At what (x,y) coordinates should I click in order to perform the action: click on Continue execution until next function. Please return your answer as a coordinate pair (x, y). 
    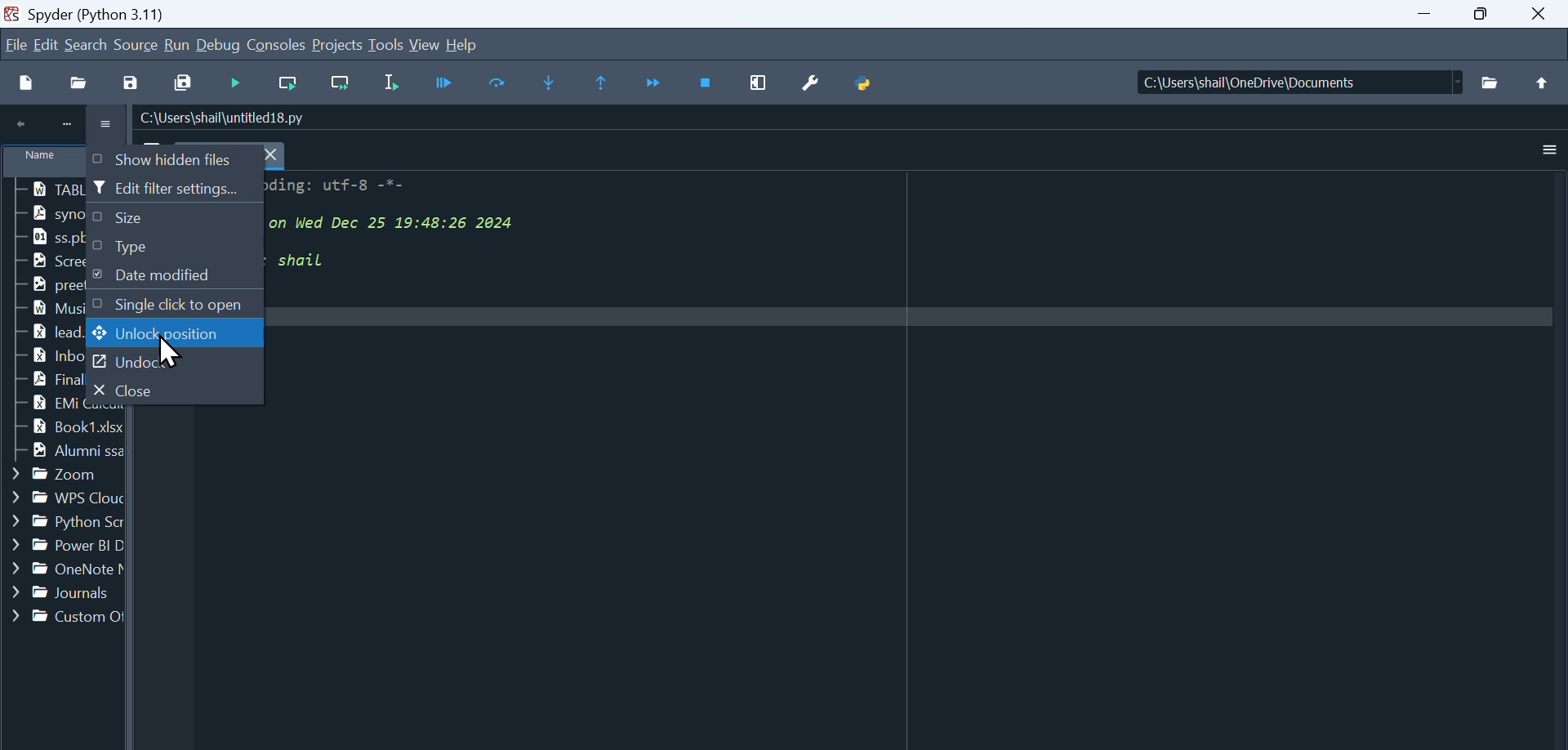
    Looking at the image, I should click on (655, 84).